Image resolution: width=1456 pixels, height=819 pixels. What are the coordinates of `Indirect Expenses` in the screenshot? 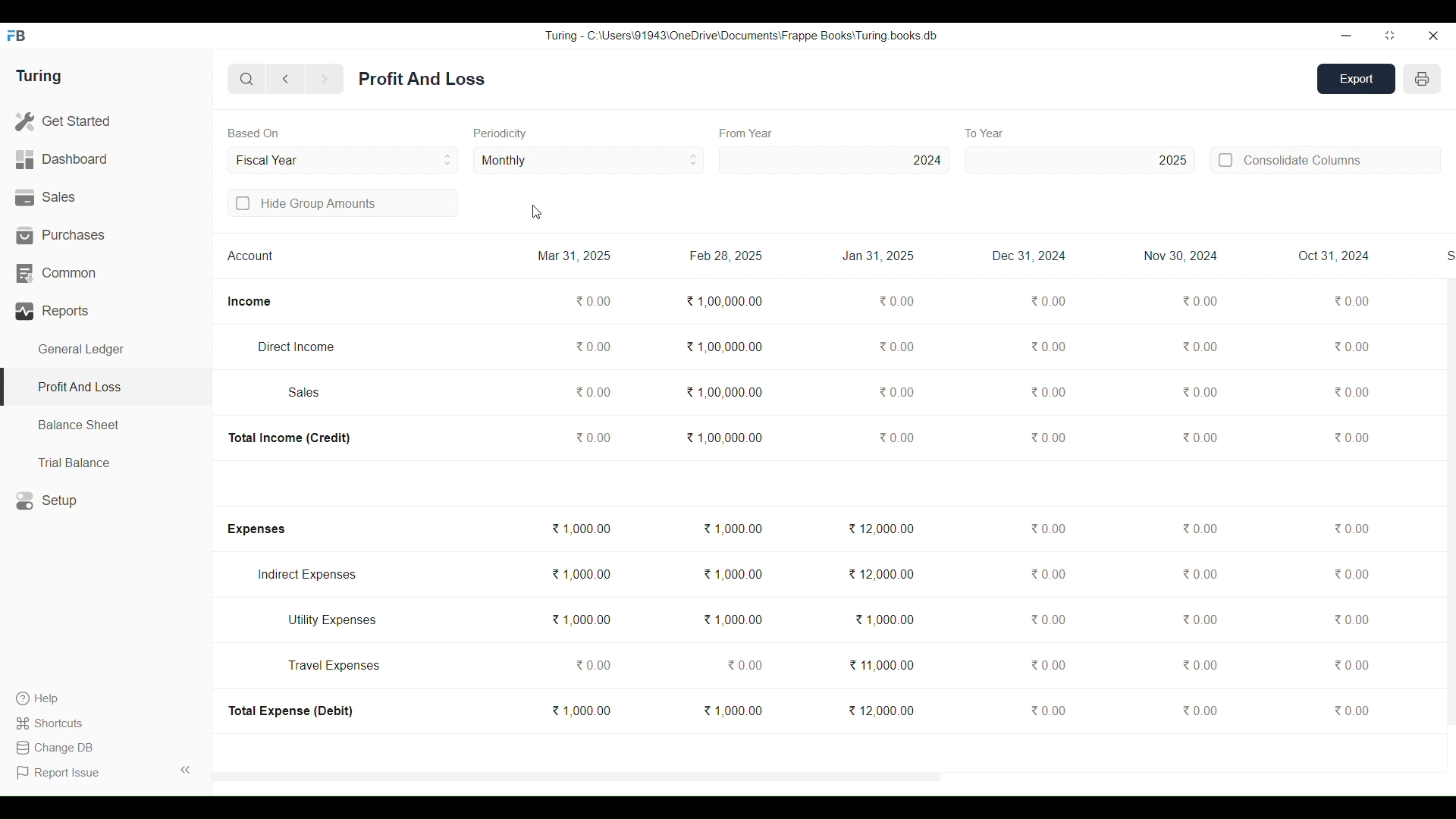 It's located at (307, 575).